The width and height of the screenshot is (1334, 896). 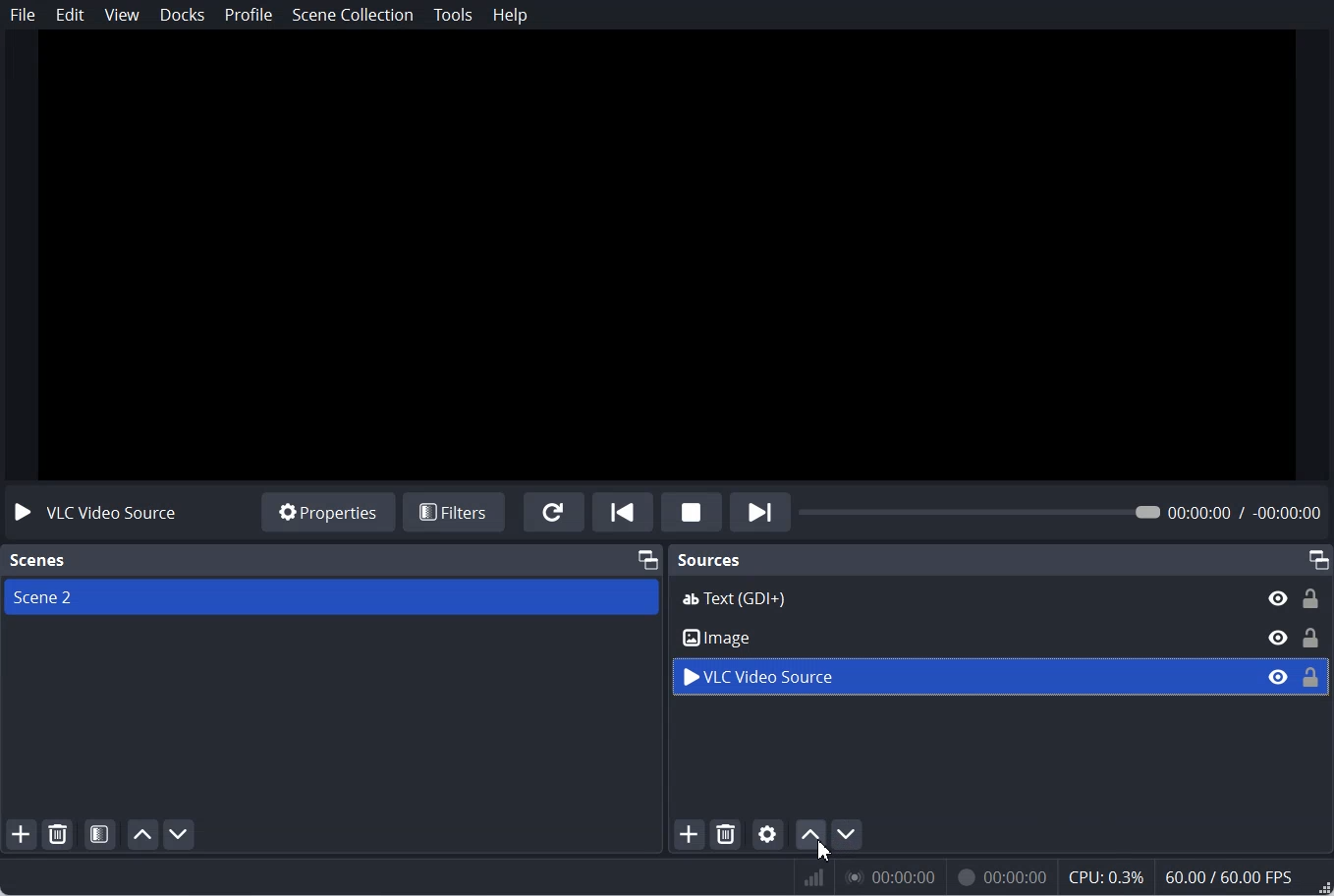 What do you see at coordinates (1001, 638) in the screenshot?
I see `Image` at bounding box center [1001, 638].